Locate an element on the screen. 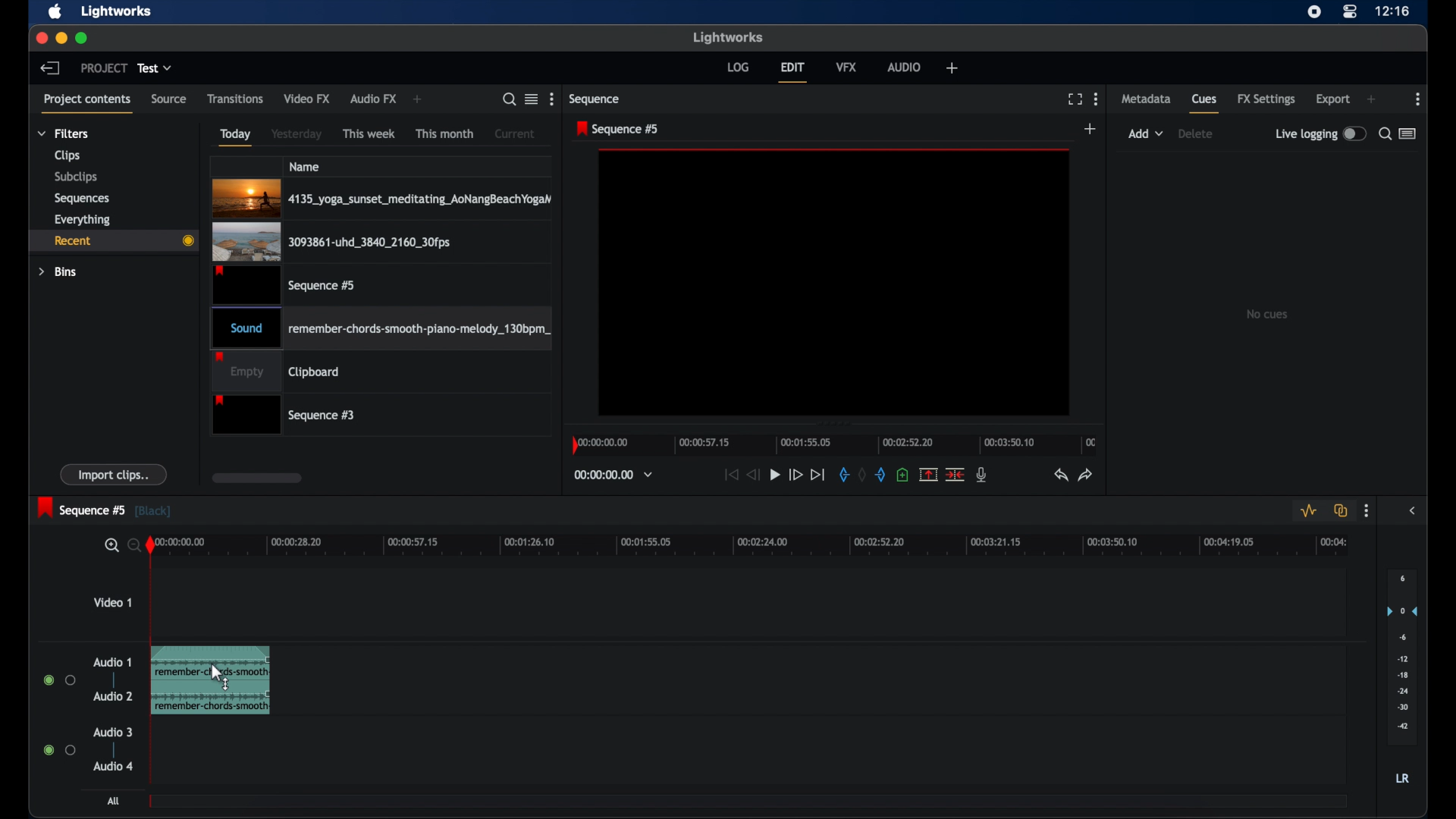 This screenshot has height=819, width=1456. cut is located at coordinates (955, 474).